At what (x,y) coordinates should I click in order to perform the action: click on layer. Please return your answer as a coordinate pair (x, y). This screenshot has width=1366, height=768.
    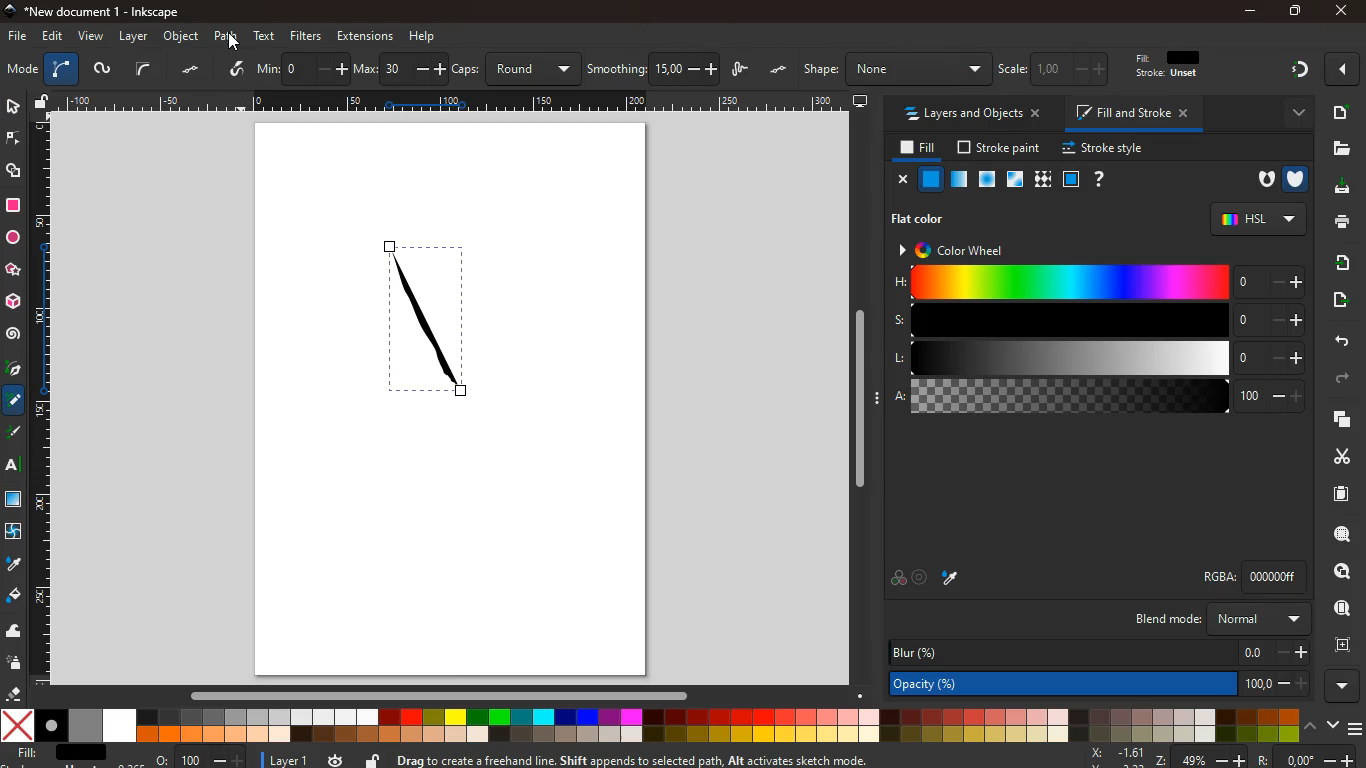
    Looking at the image, I should click on (290, 761).